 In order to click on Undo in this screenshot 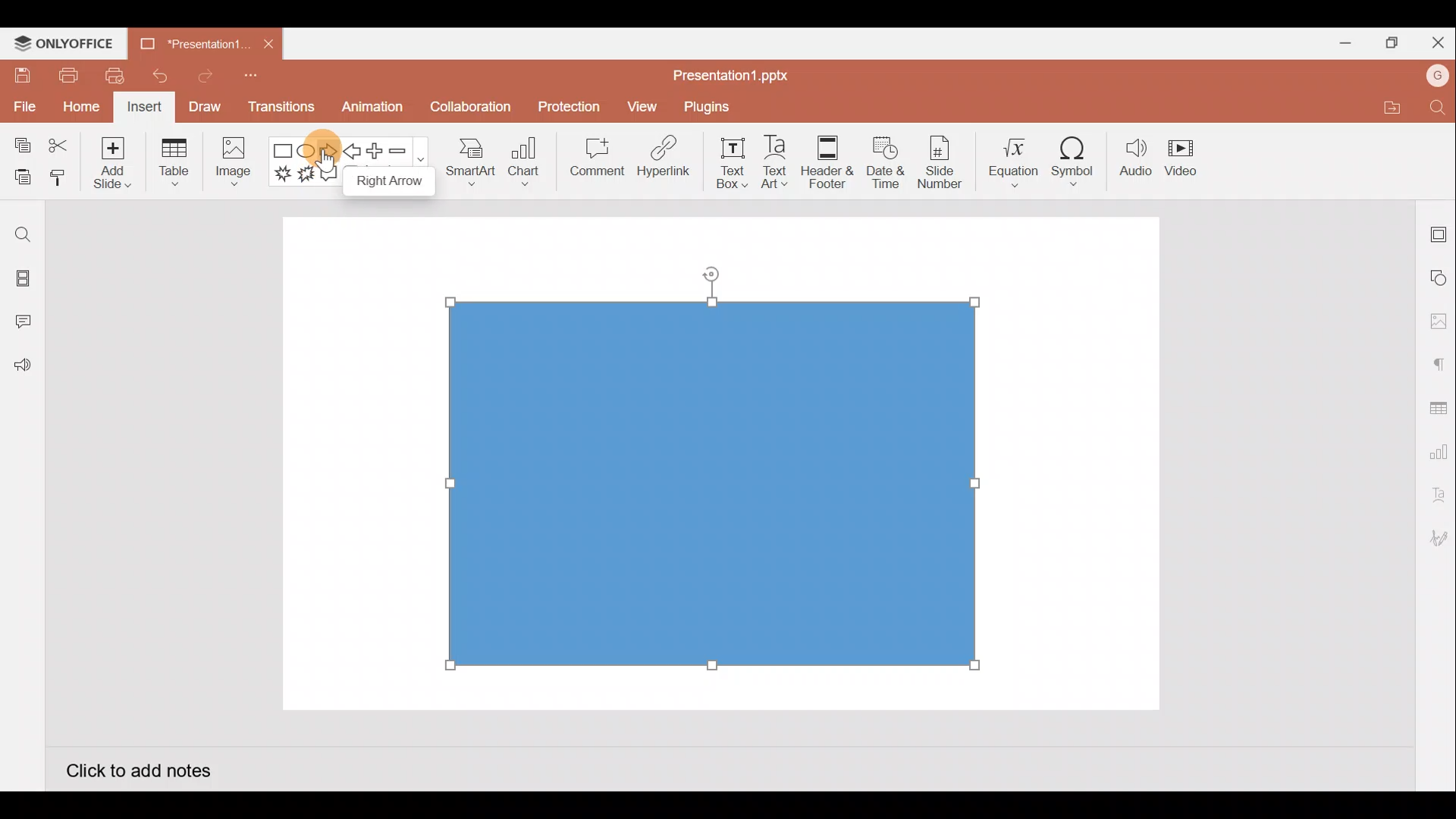, I will do `click(154, 76)`.